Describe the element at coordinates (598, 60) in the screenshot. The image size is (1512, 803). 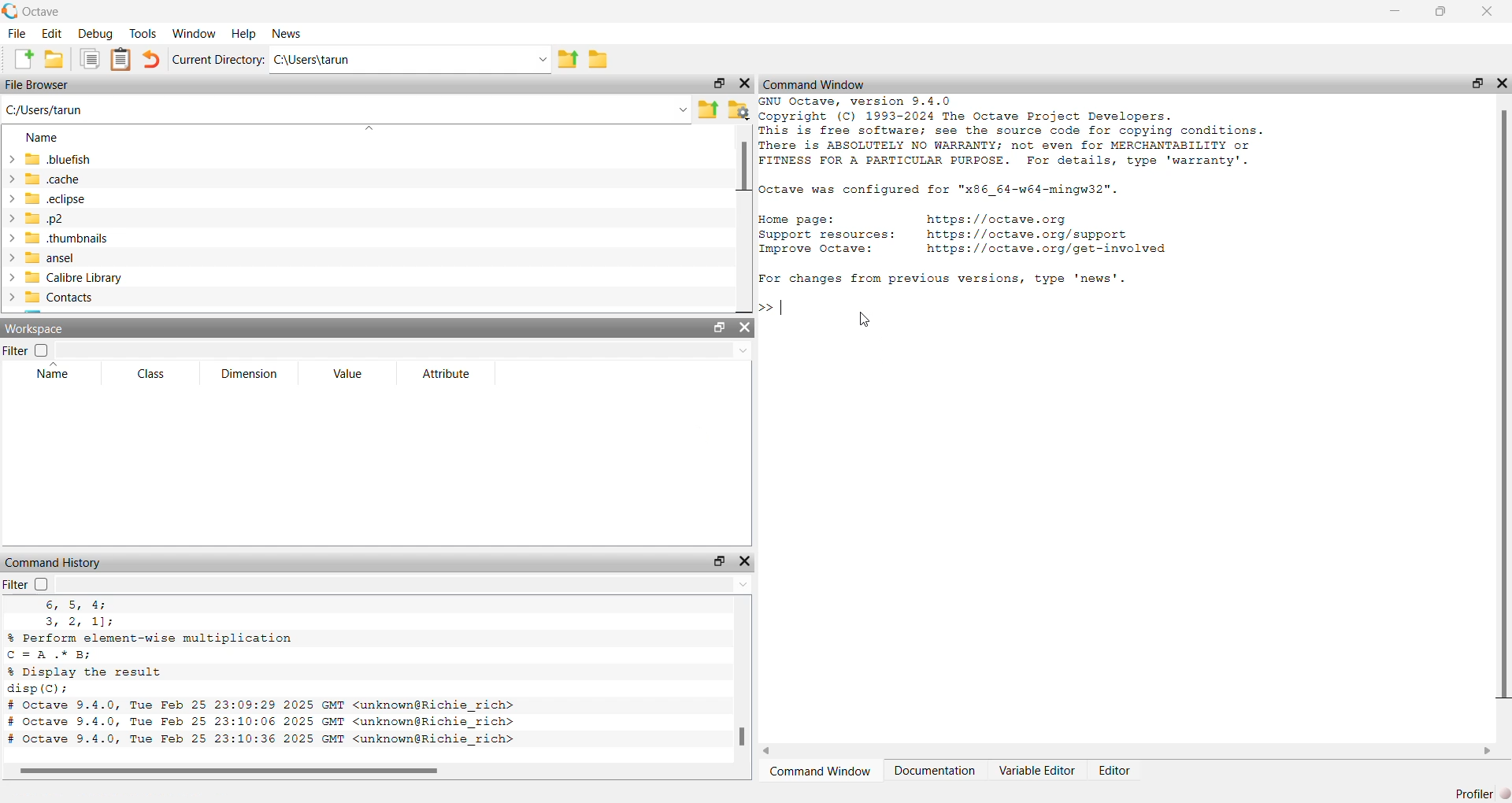
I see `Folder` at that location.